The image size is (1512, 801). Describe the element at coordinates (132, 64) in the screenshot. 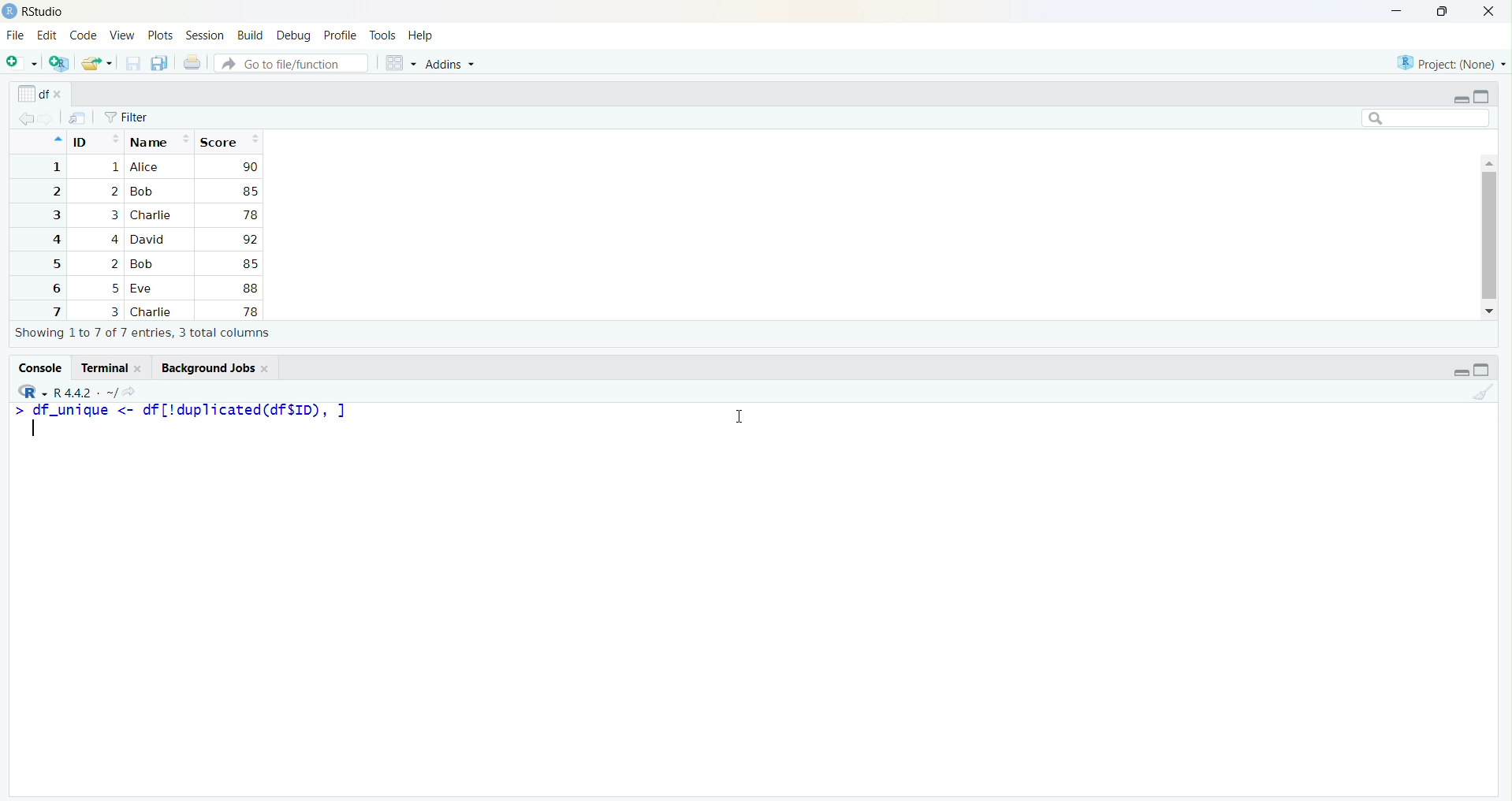

I see `save` at that location.